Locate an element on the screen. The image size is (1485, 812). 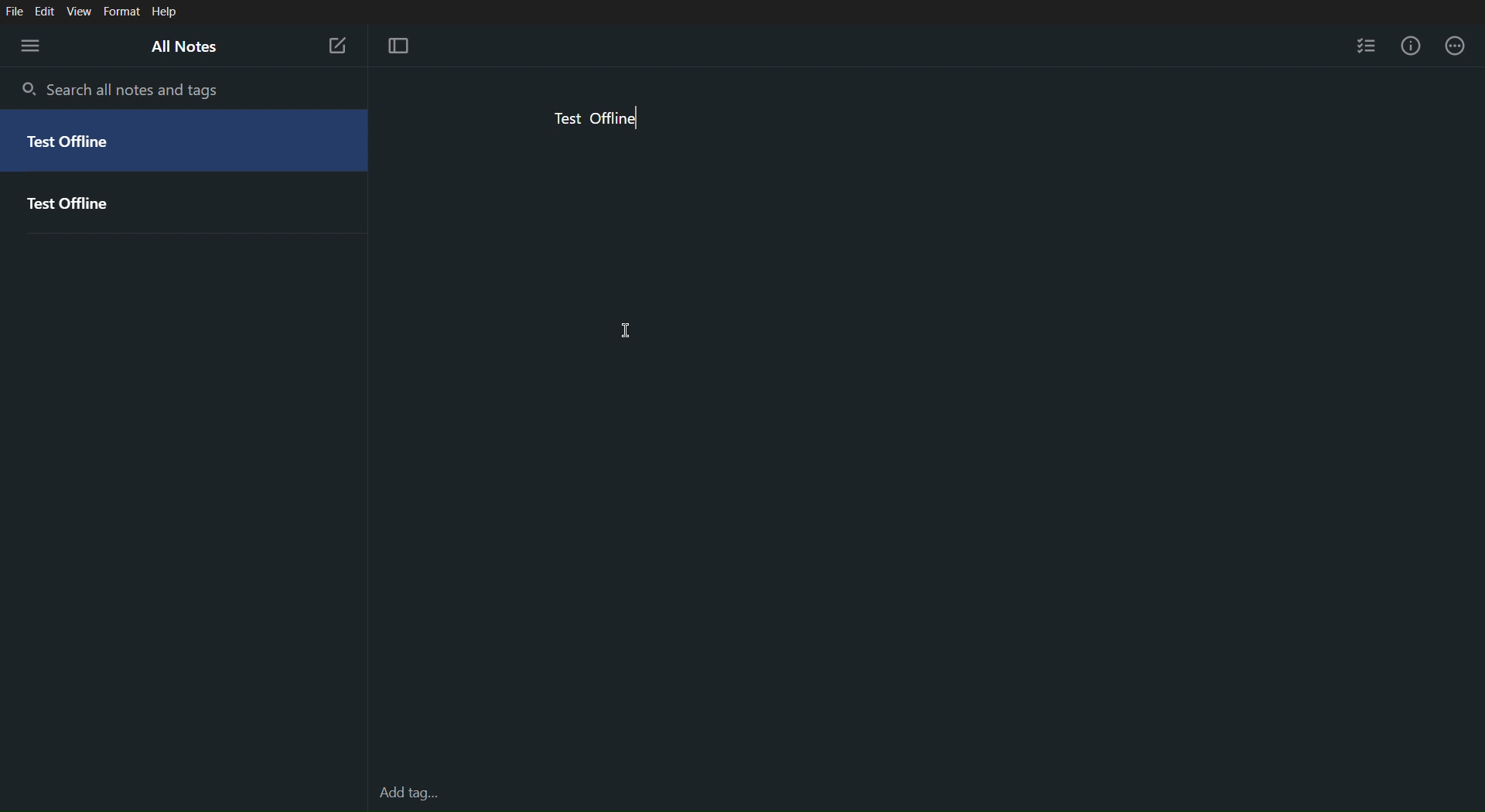
typing cursor is located at coordinates (640, 118).